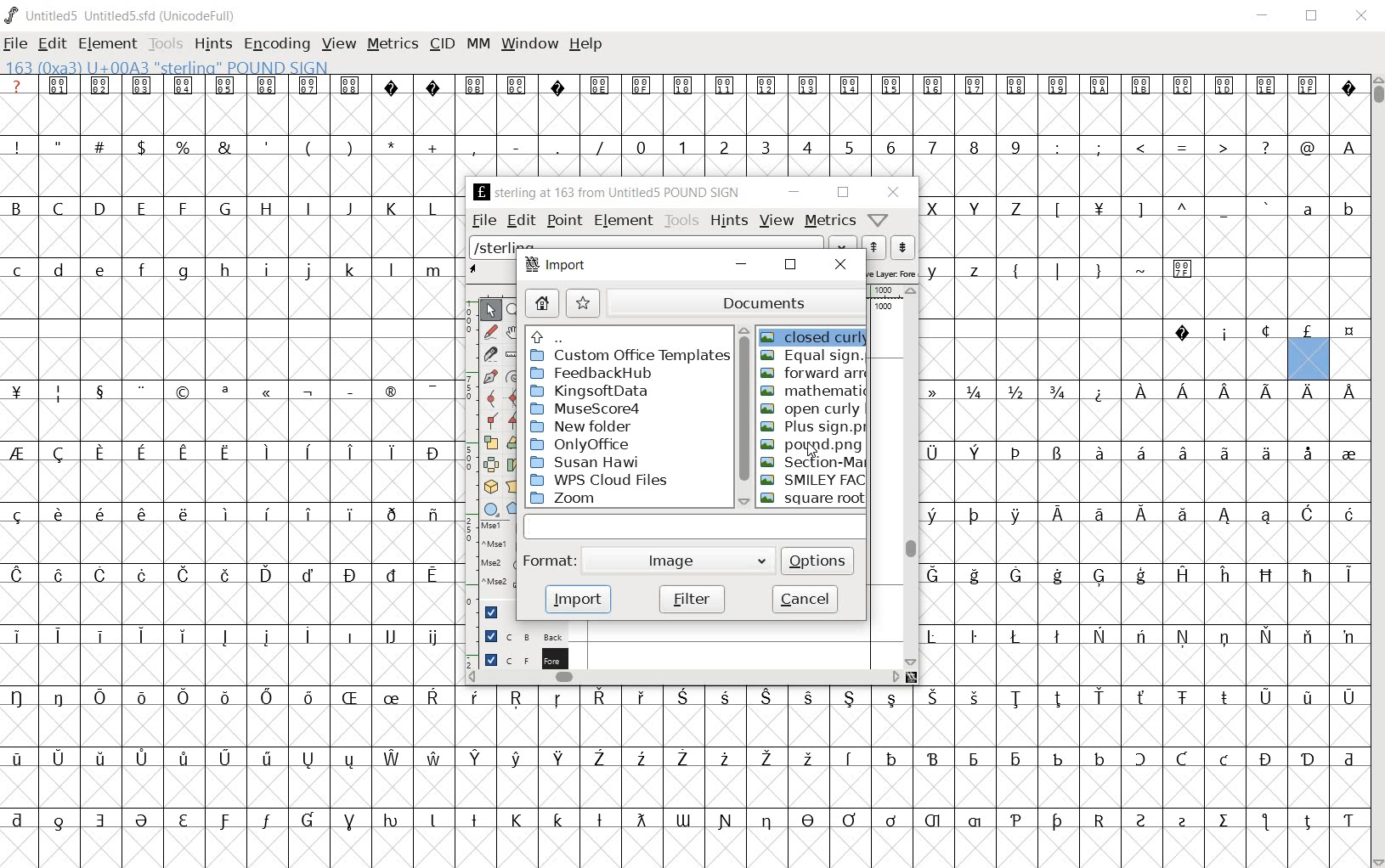  Describe the element at coordinates (639, 820) in the screenshot. I see `Symbol` at that location.